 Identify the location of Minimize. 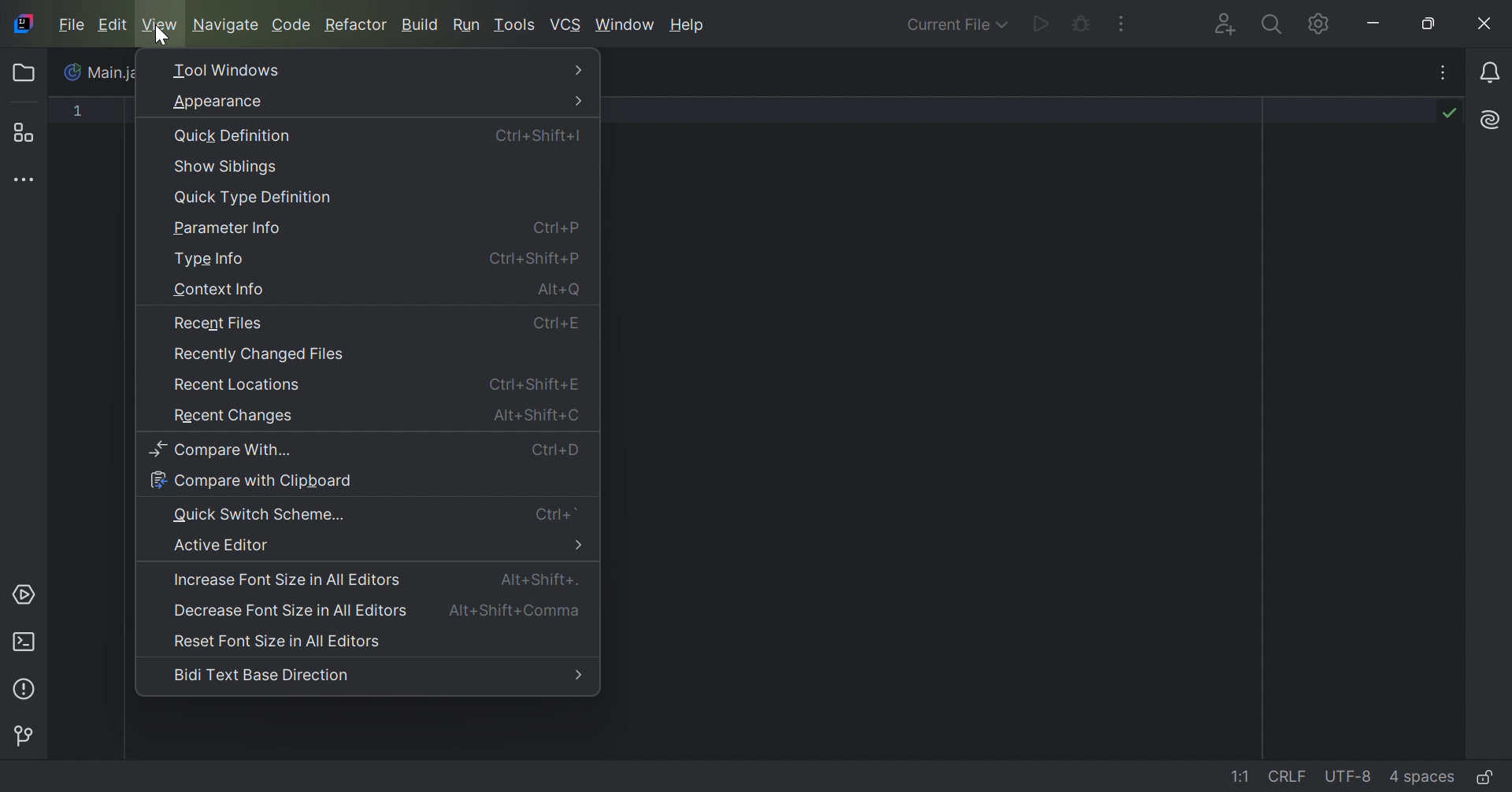
(1376, 23).